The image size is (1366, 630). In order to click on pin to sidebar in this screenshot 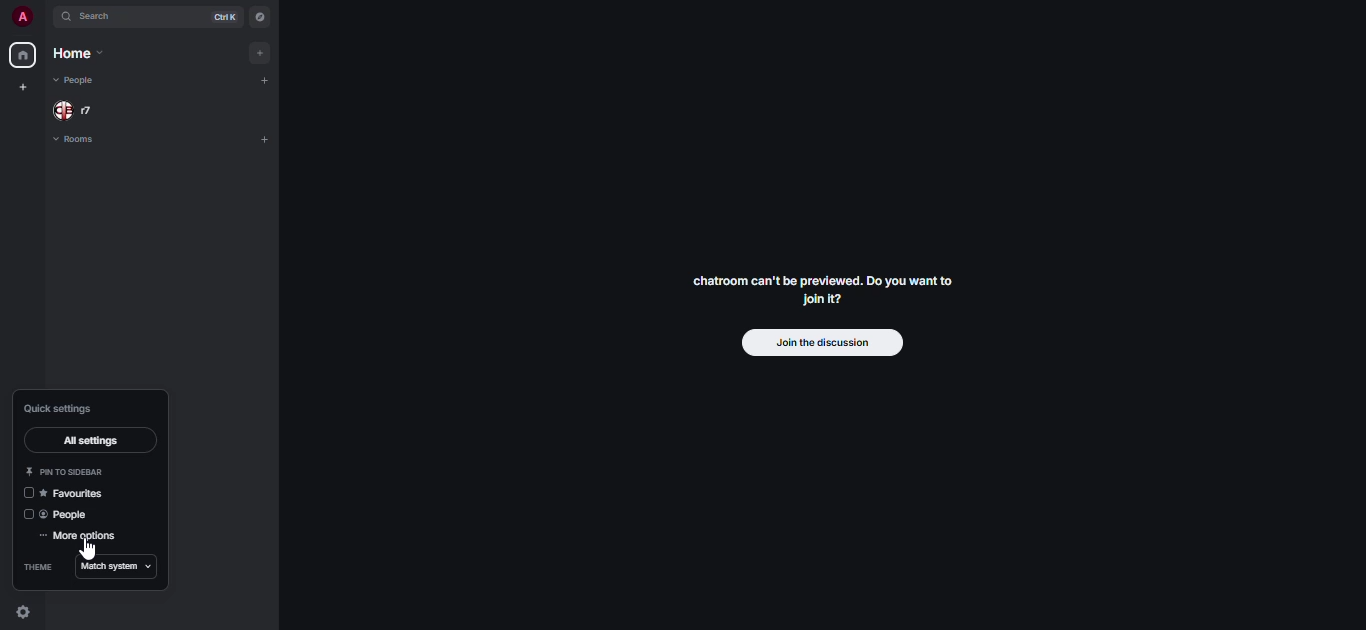, I will do `click(62, 471)`.